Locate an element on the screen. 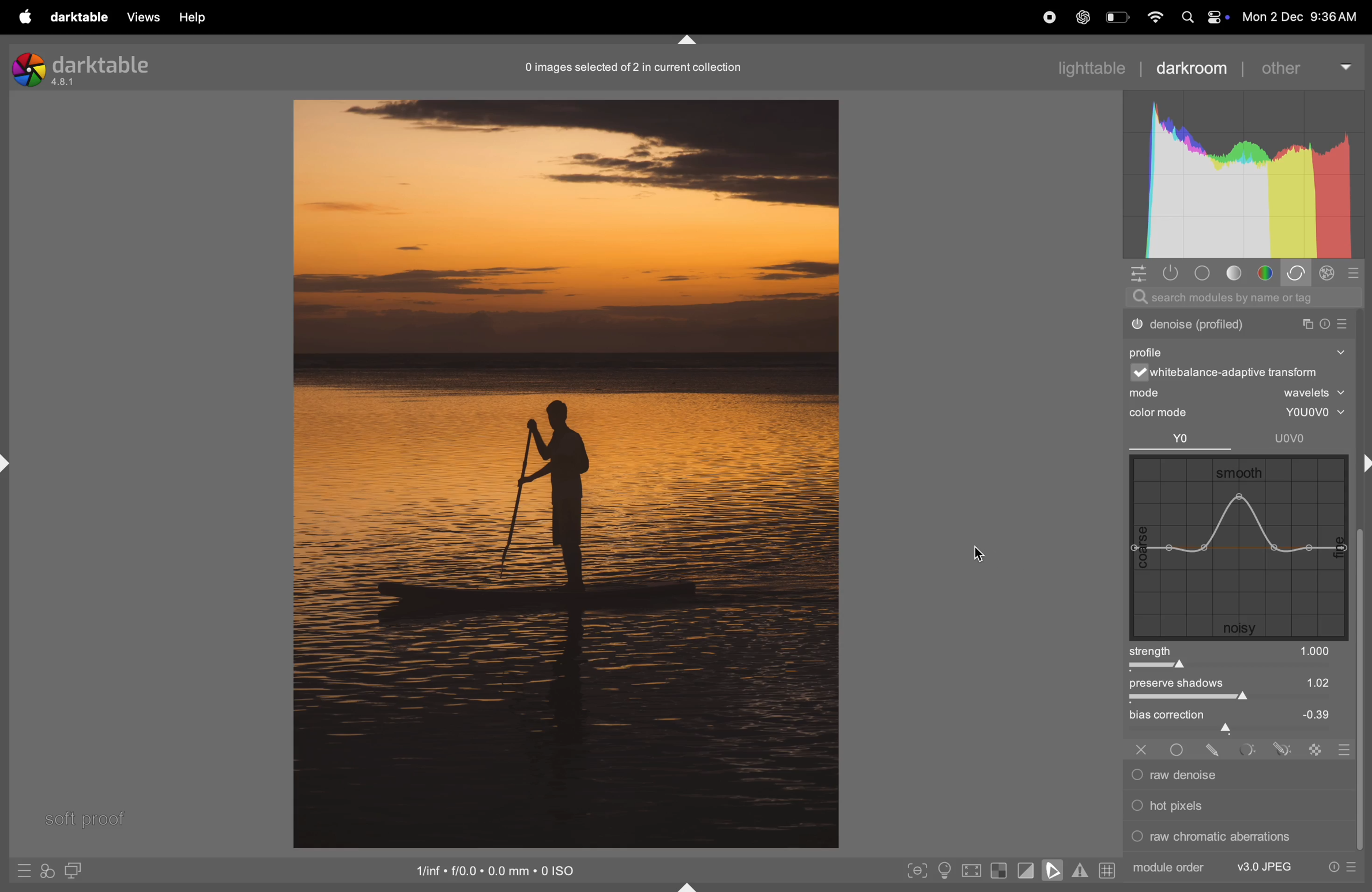 The height and width of the screenshot is (892, 1372). 1.02 is located at coordinates (1301, 682).